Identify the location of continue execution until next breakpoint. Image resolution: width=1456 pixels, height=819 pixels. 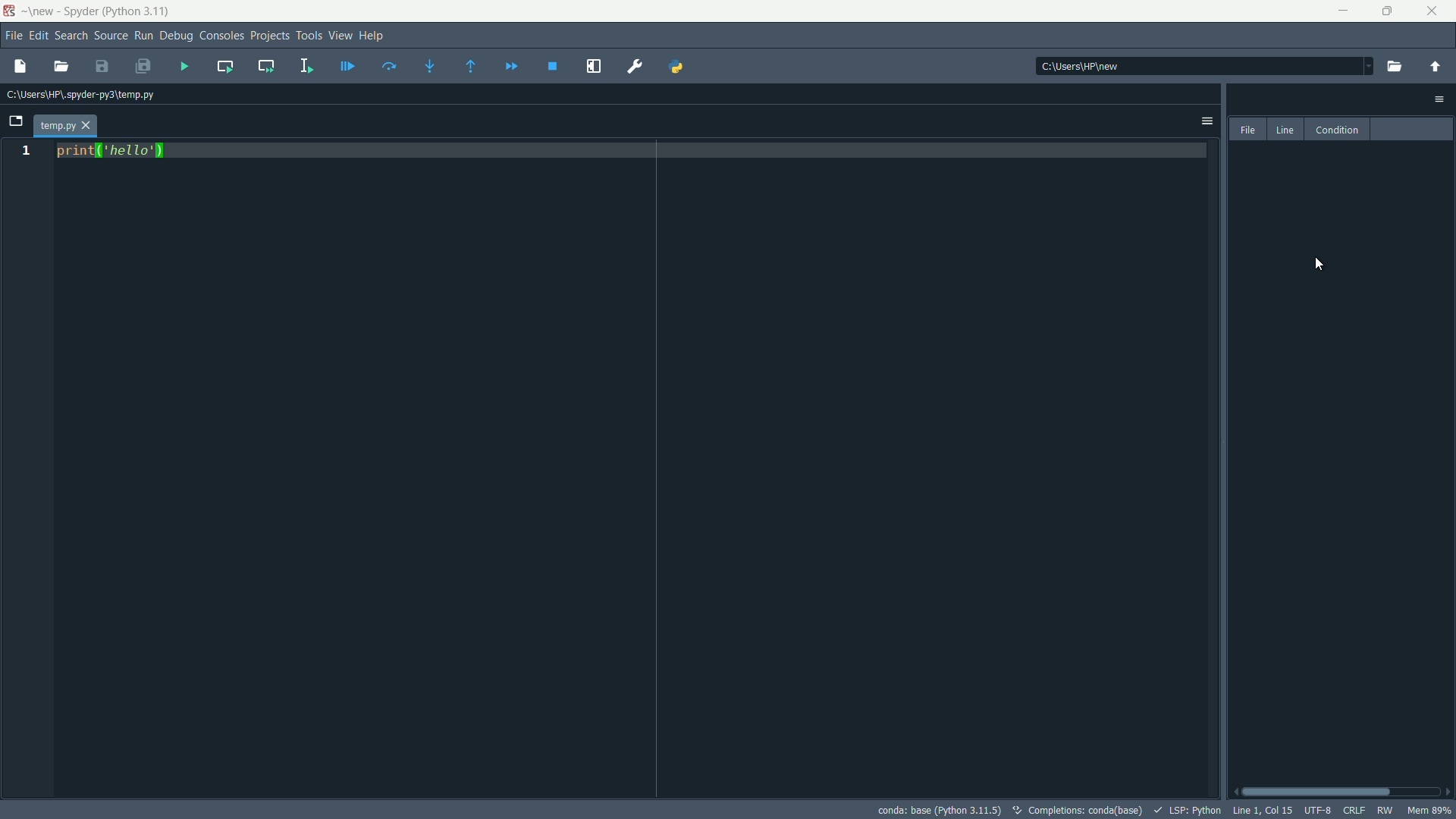
(510, 67).